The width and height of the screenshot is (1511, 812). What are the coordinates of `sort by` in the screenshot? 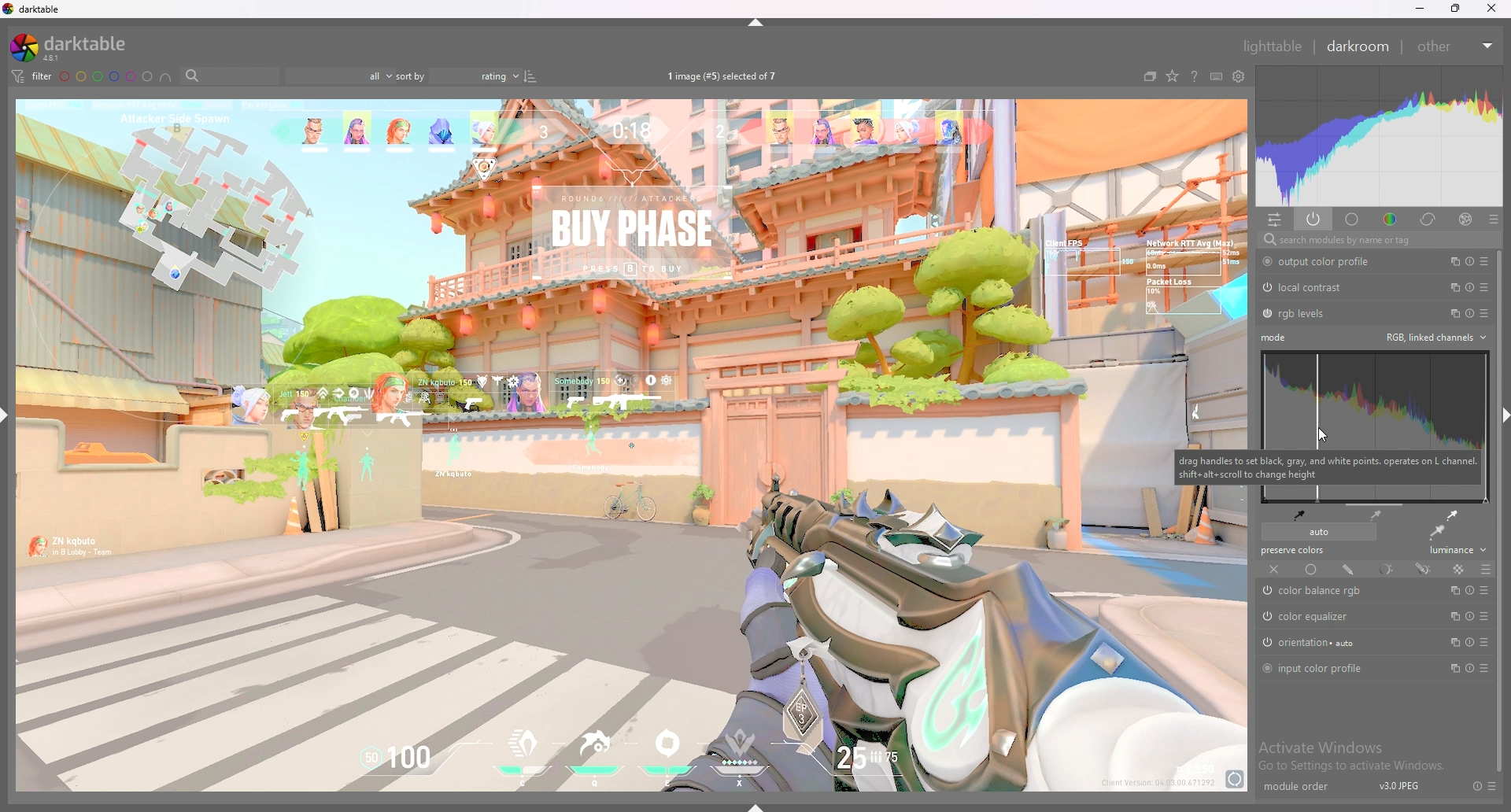 It's located at (457, 76).